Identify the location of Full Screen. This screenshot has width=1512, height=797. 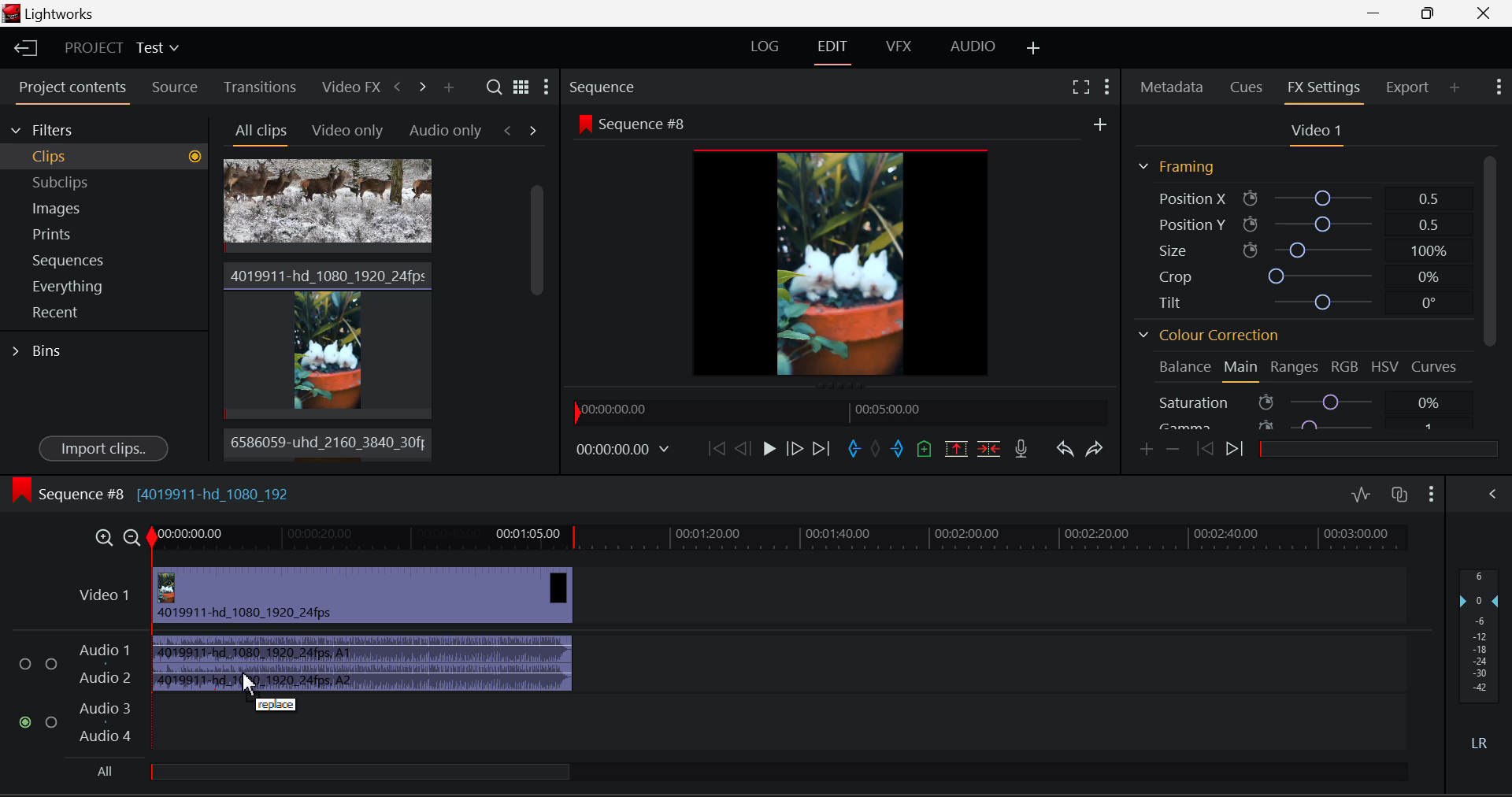
(1079, 86).